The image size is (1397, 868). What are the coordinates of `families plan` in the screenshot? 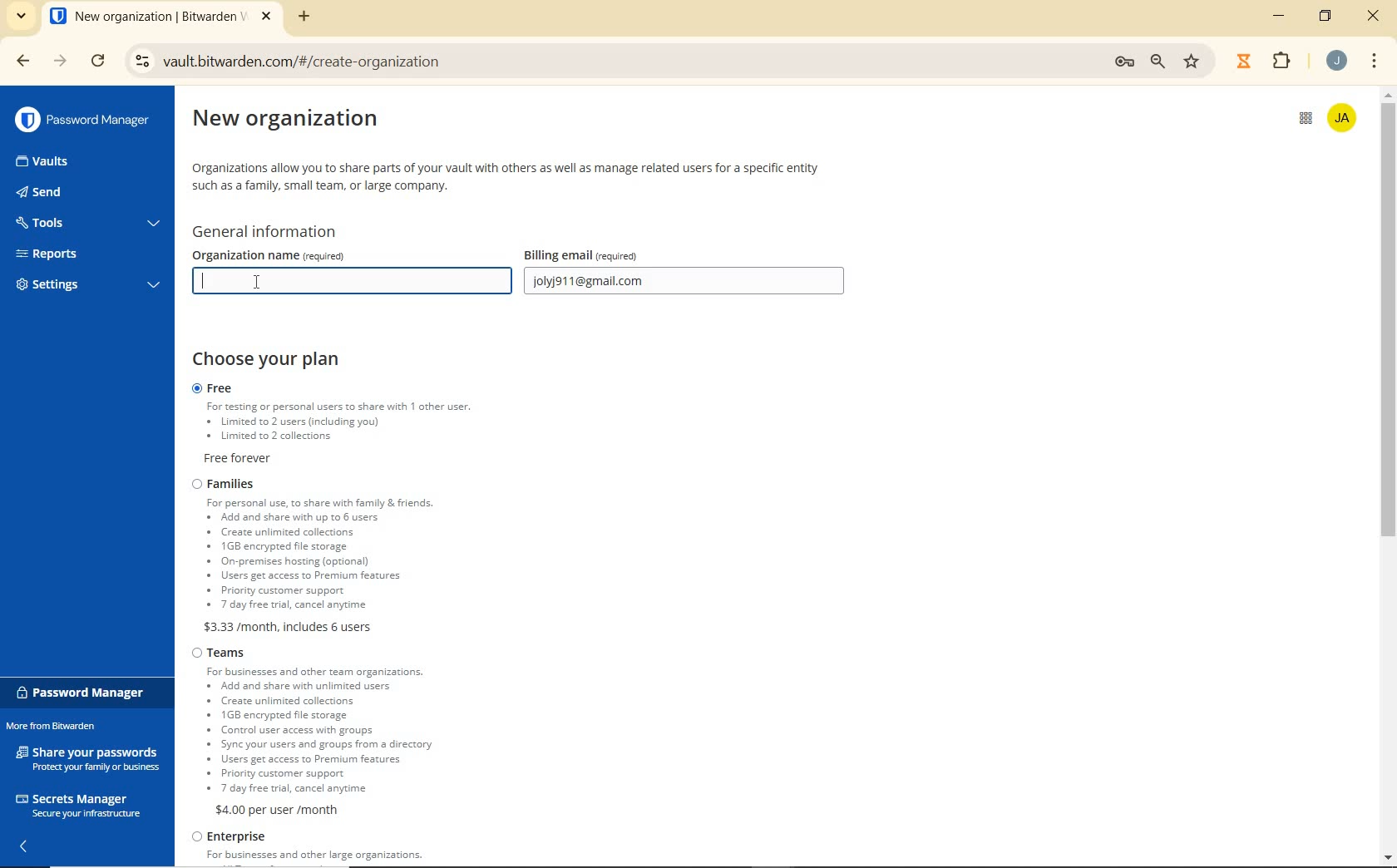 It's located at (363, 555).